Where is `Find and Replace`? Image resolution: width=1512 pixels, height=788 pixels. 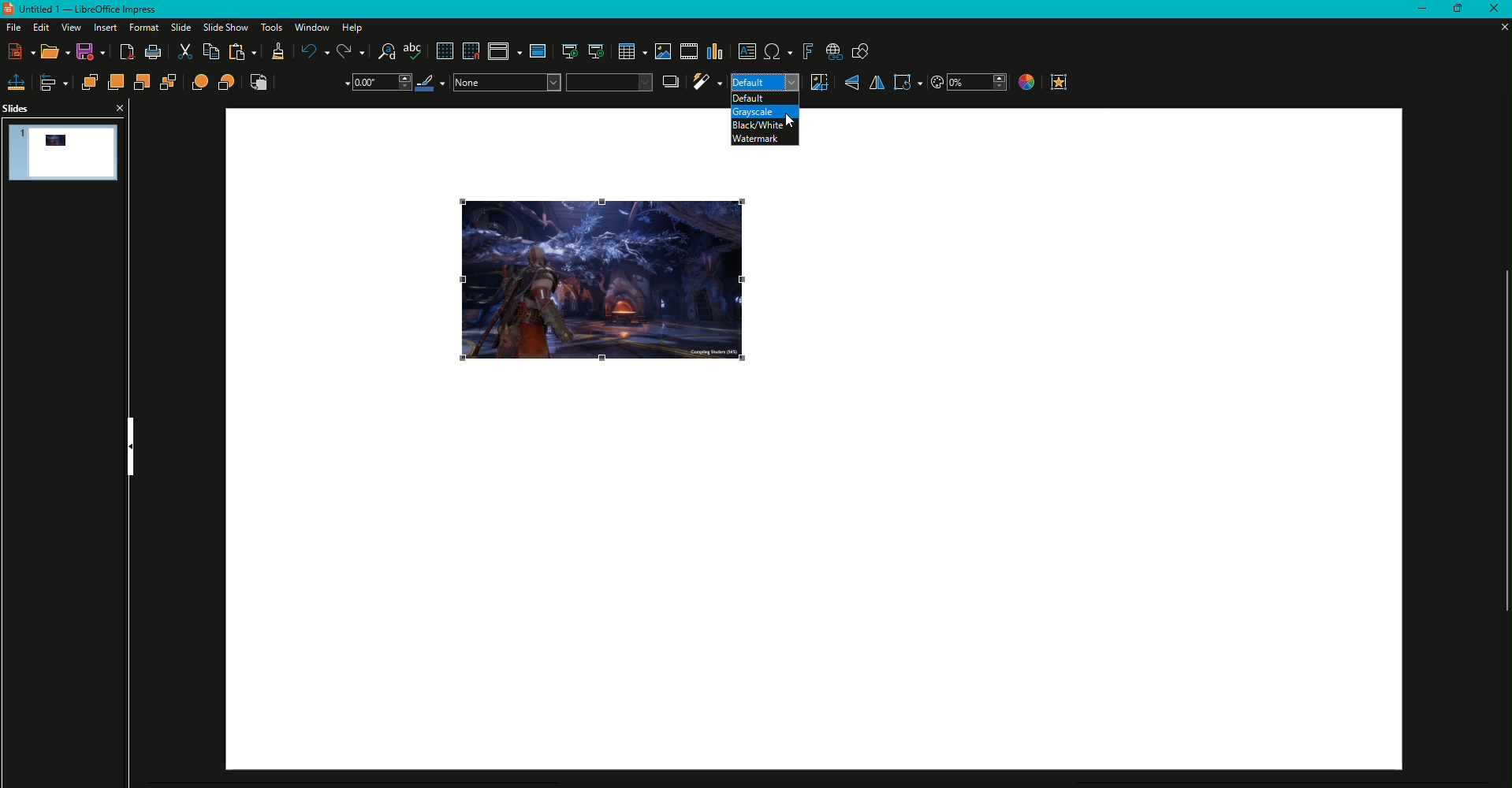
Find and Replace is located at coordinates (386, 52).